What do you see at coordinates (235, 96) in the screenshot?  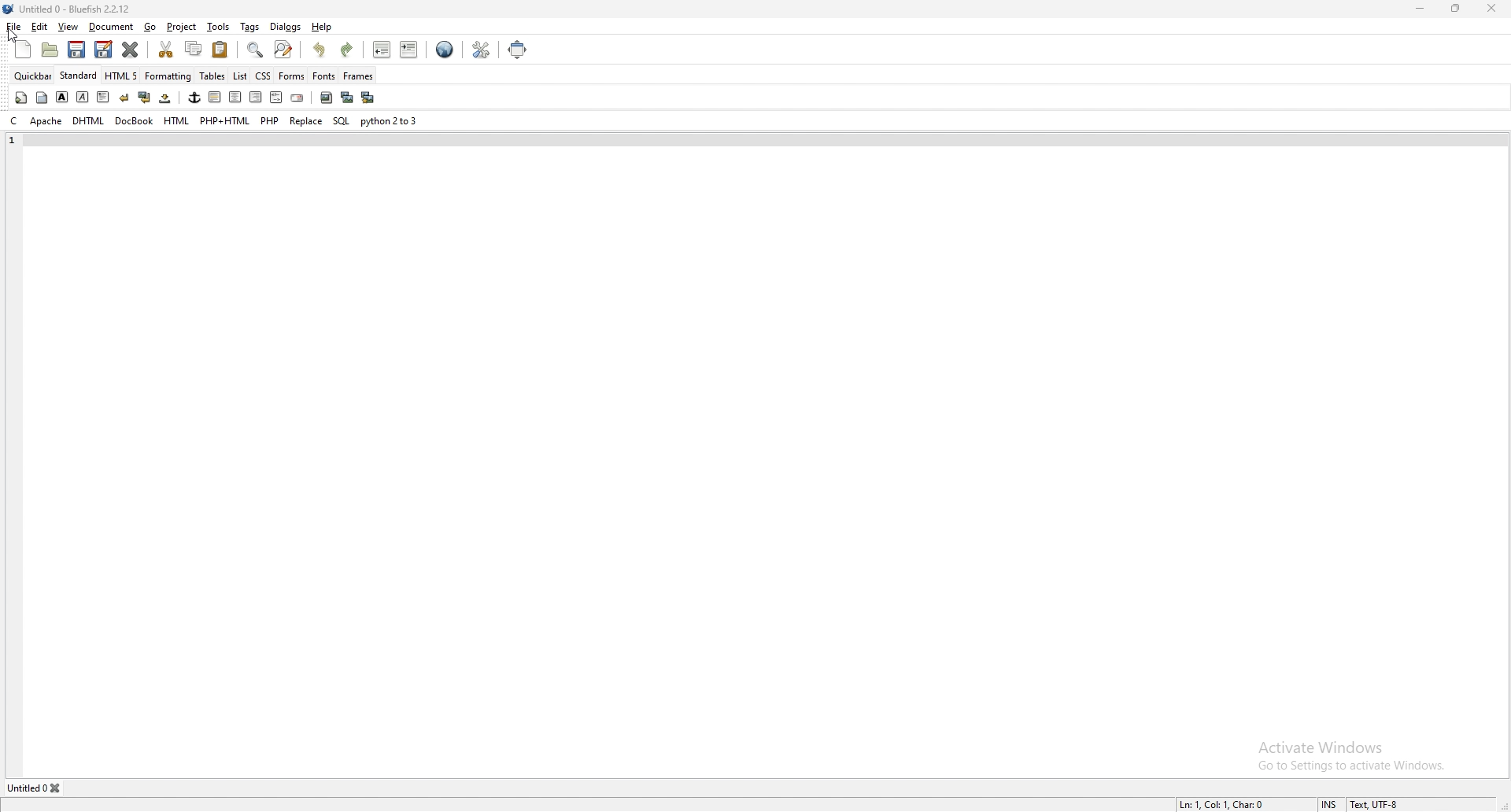 I see `centre` at bounding box center [235, 96].